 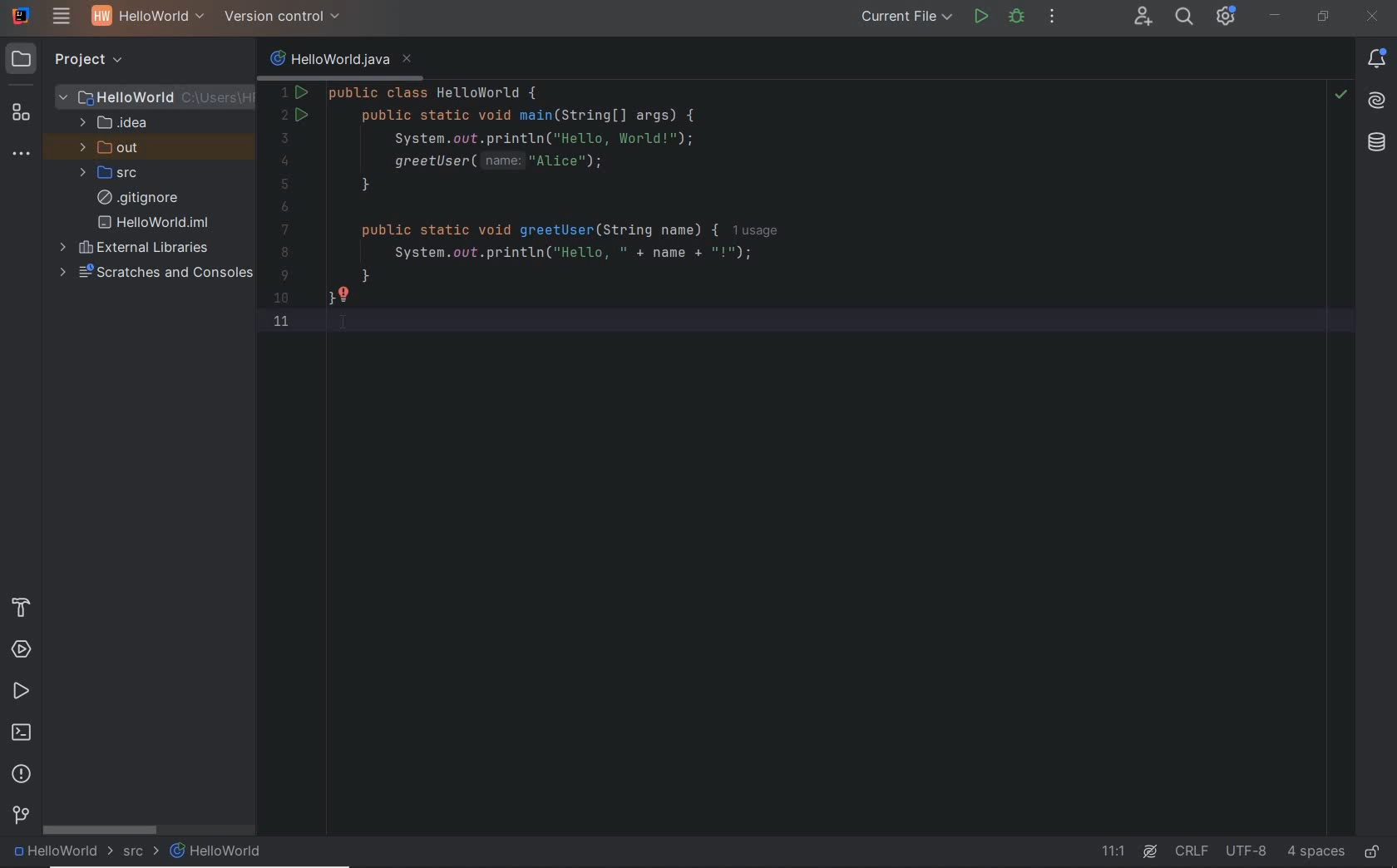 What do you see at coordinates (63, 853) in the screenshot?
I see `HelloWorld` at bounding box center [63, 853].